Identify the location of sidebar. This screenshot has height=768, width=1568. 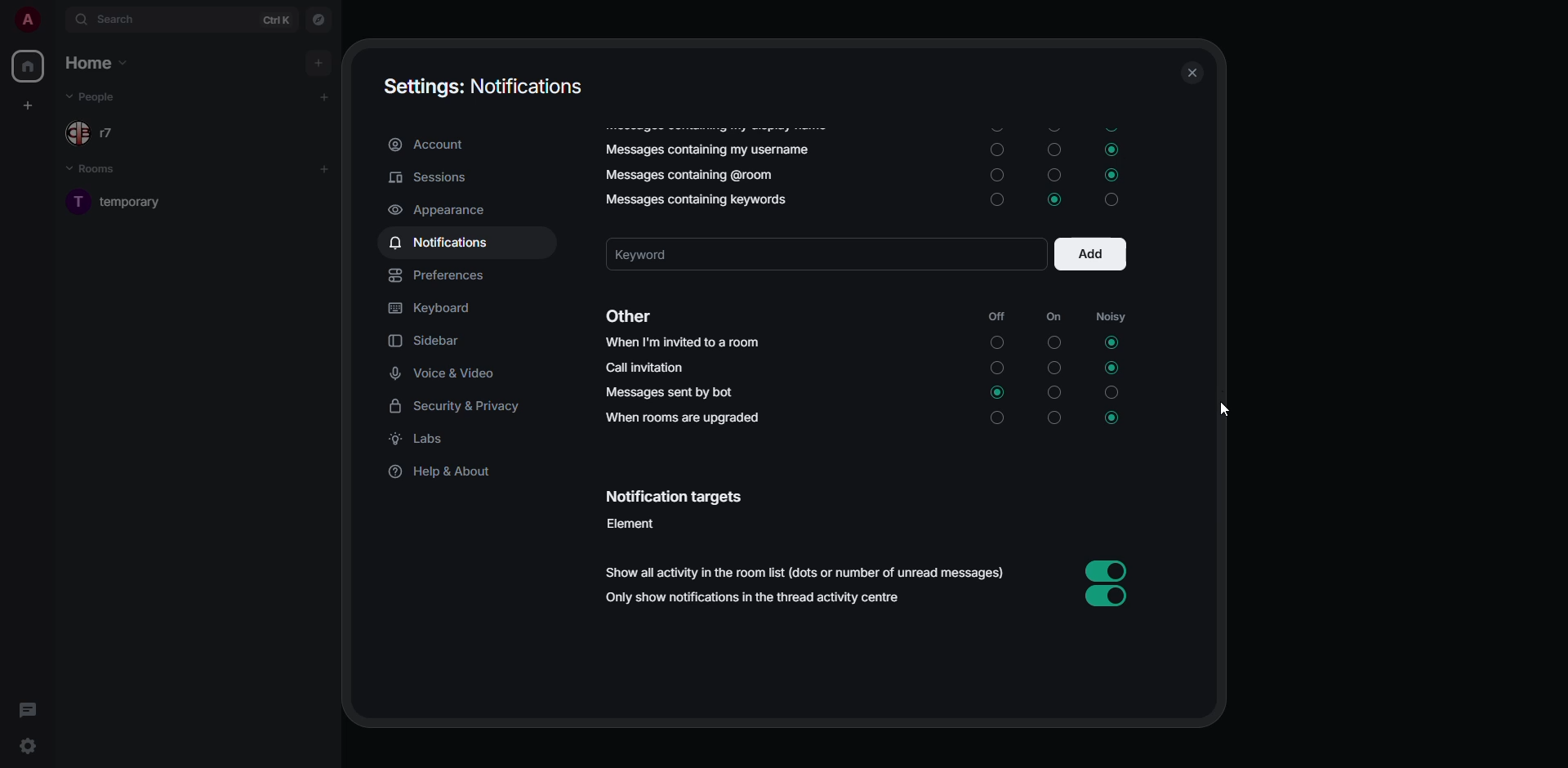
(432, 340).